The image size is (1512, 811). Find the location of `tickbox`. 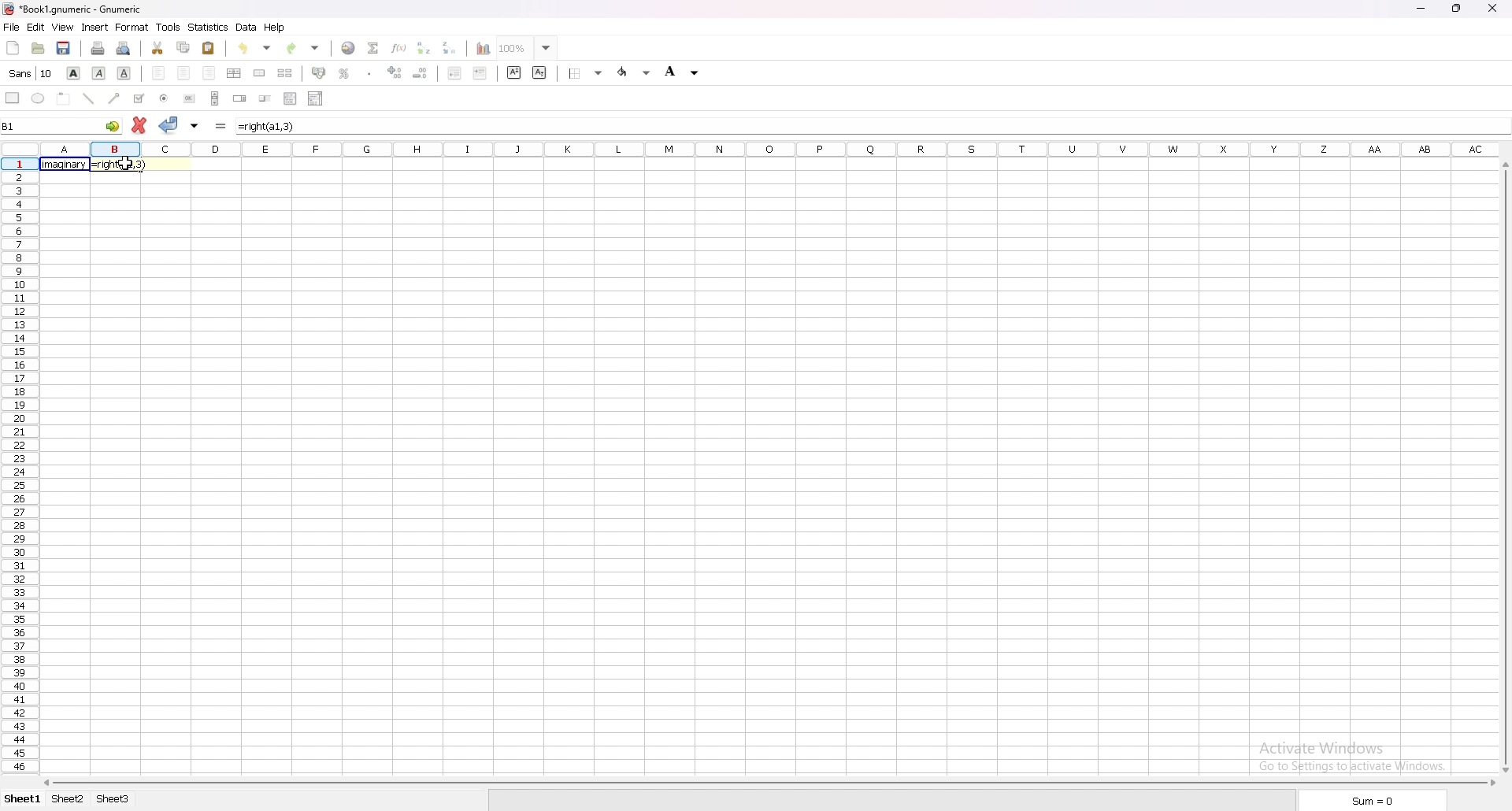

tickbox is located at coordinates (140, 98).